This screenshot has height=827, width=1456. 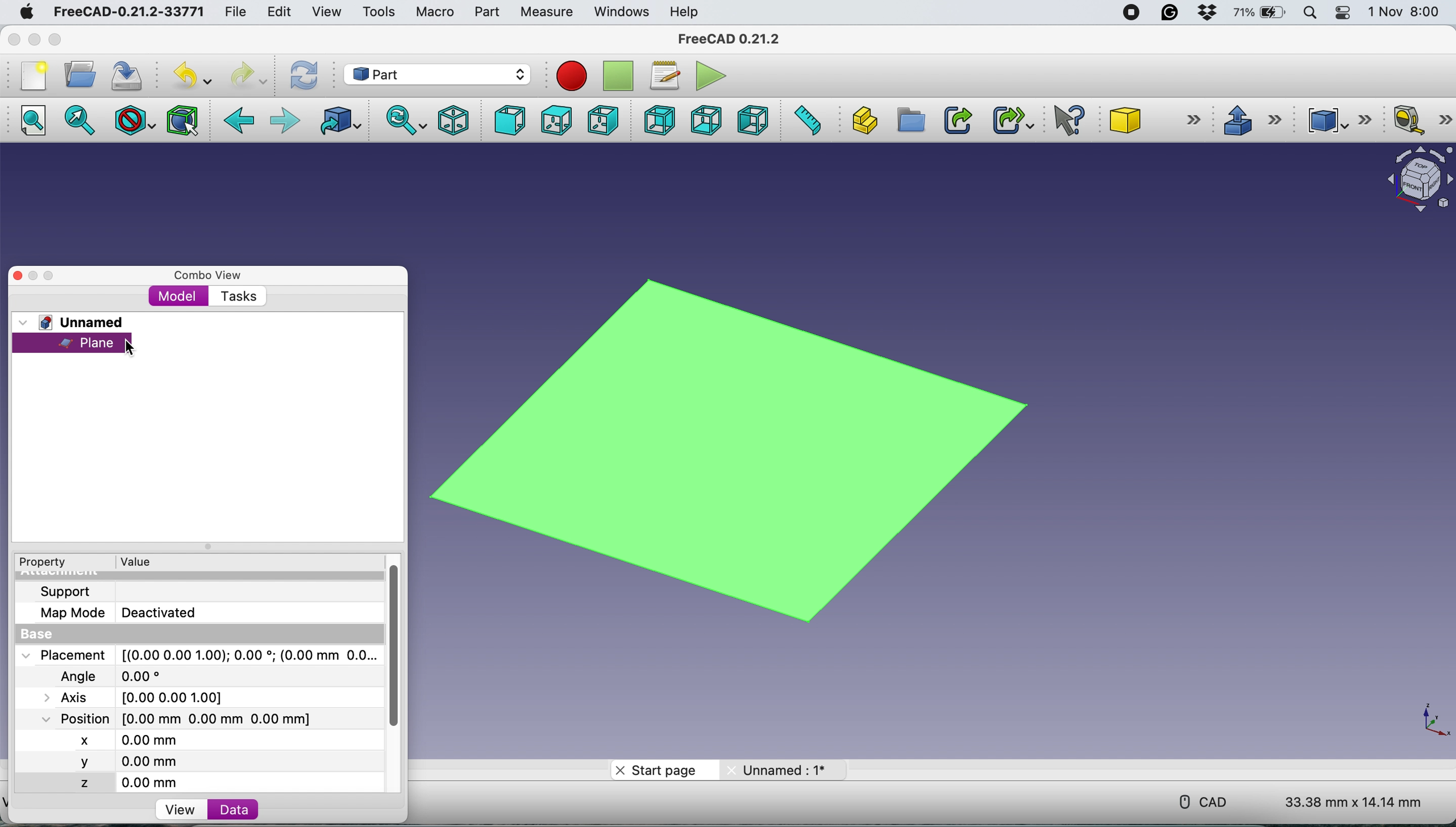 What do you see at coordinates (70, 345) in the screenshot?
I see `plane selected` at bounding box center [70, 345].